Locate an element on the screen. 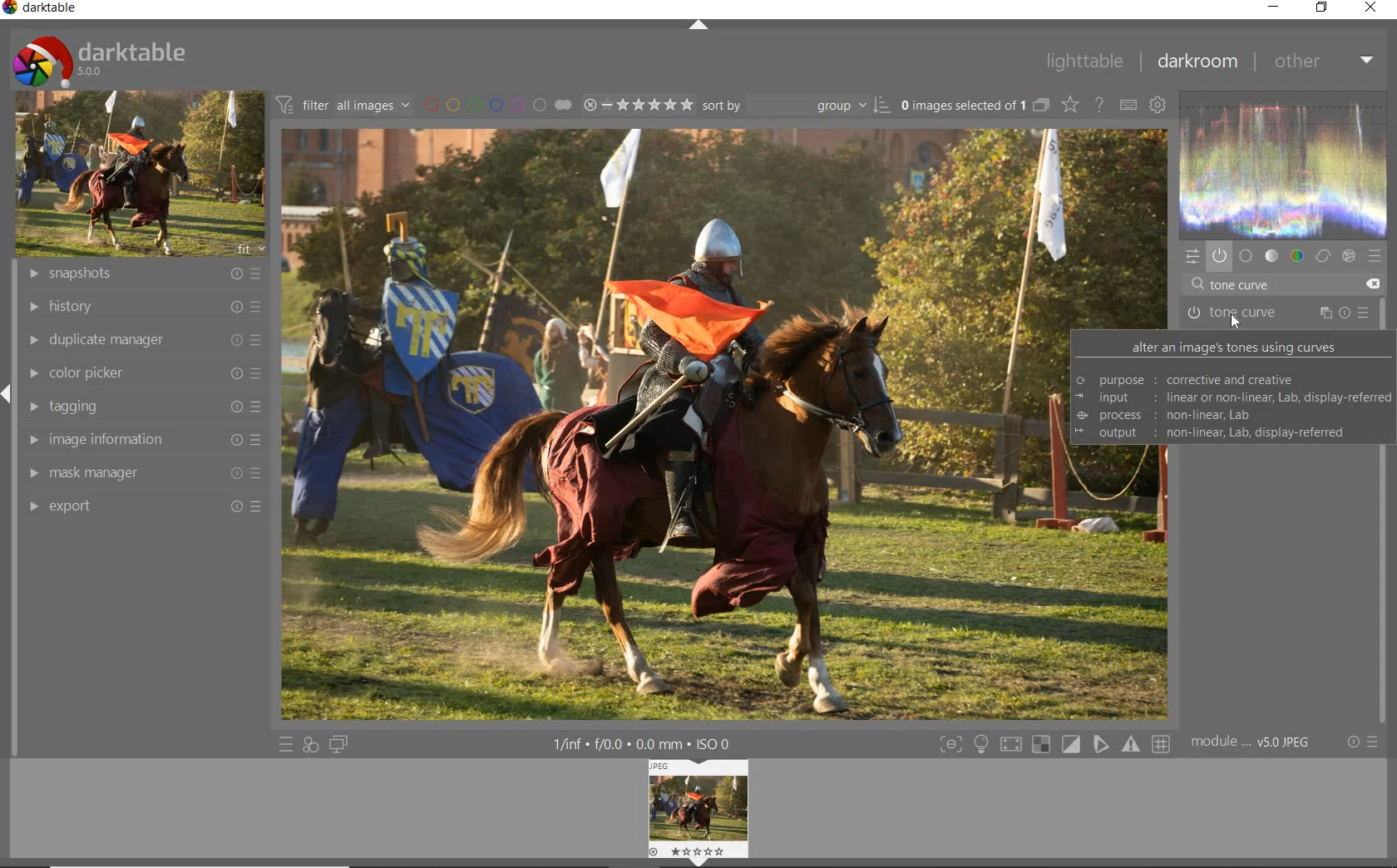 The width and height of the screenshot is (1397, 868). lighttable is located at coordinates (1084, 62).